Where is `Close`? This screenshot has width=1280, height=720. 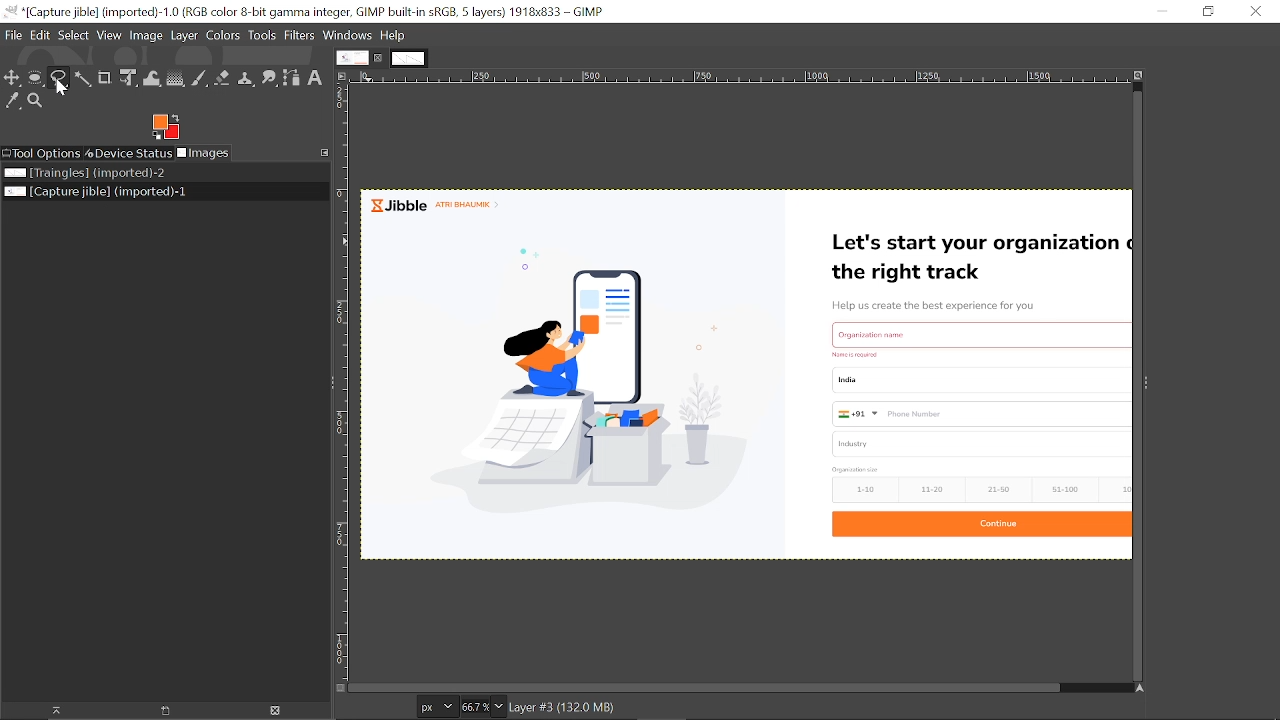 Close is located at coordinates (1258, 13).